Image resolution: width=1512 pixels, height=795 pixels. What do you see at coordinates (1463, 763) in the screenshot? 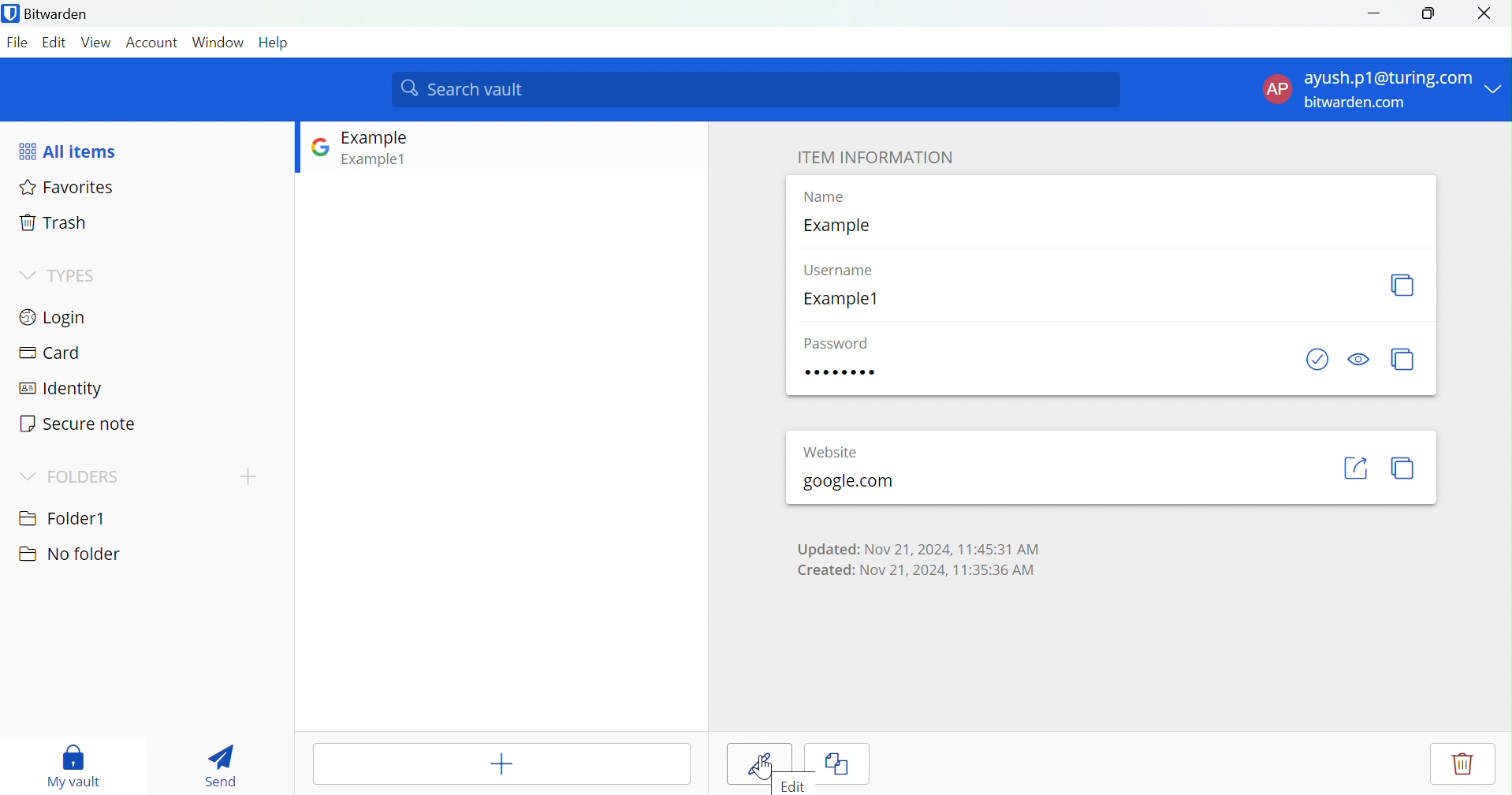
I see `Delete` at bounding box center [1463, 763].